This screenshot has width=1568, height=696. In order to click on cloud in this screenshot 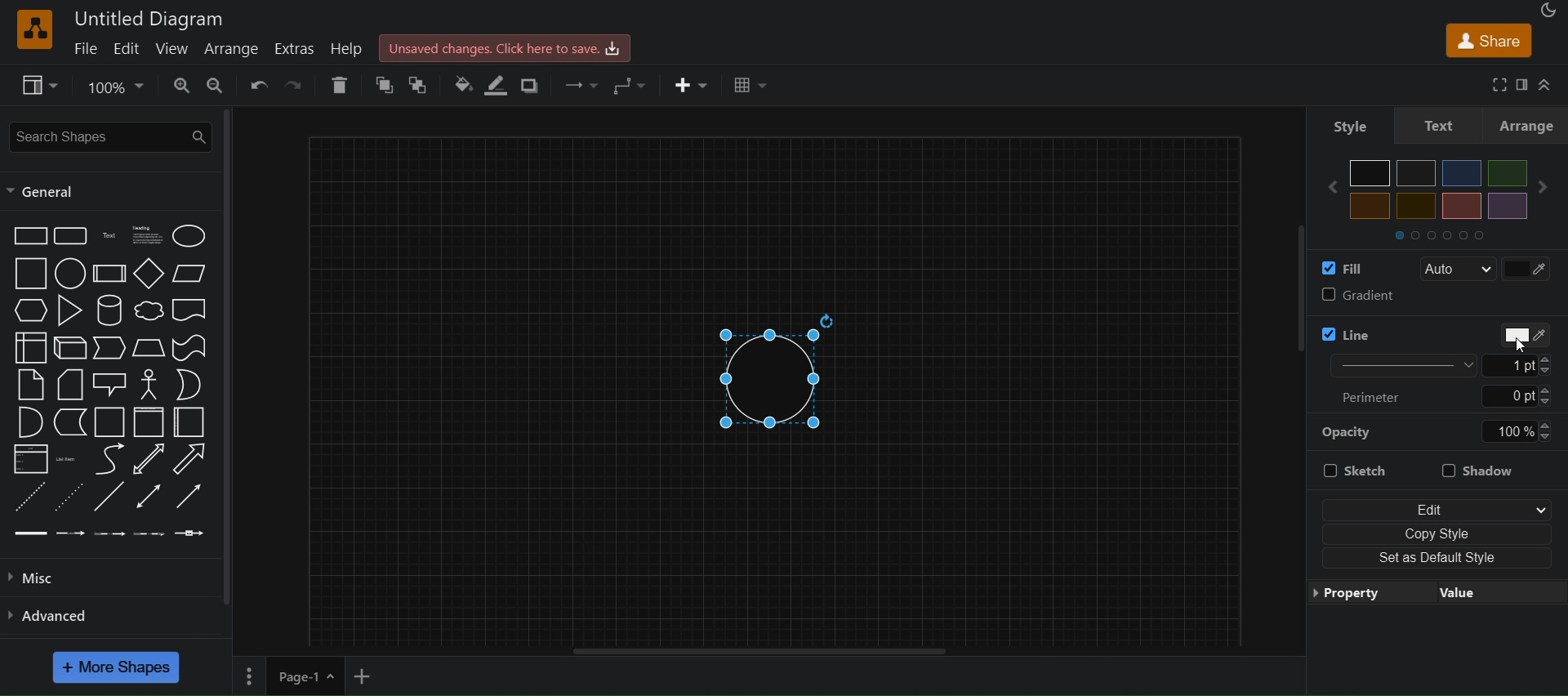, I will do `click(149, 312)`.